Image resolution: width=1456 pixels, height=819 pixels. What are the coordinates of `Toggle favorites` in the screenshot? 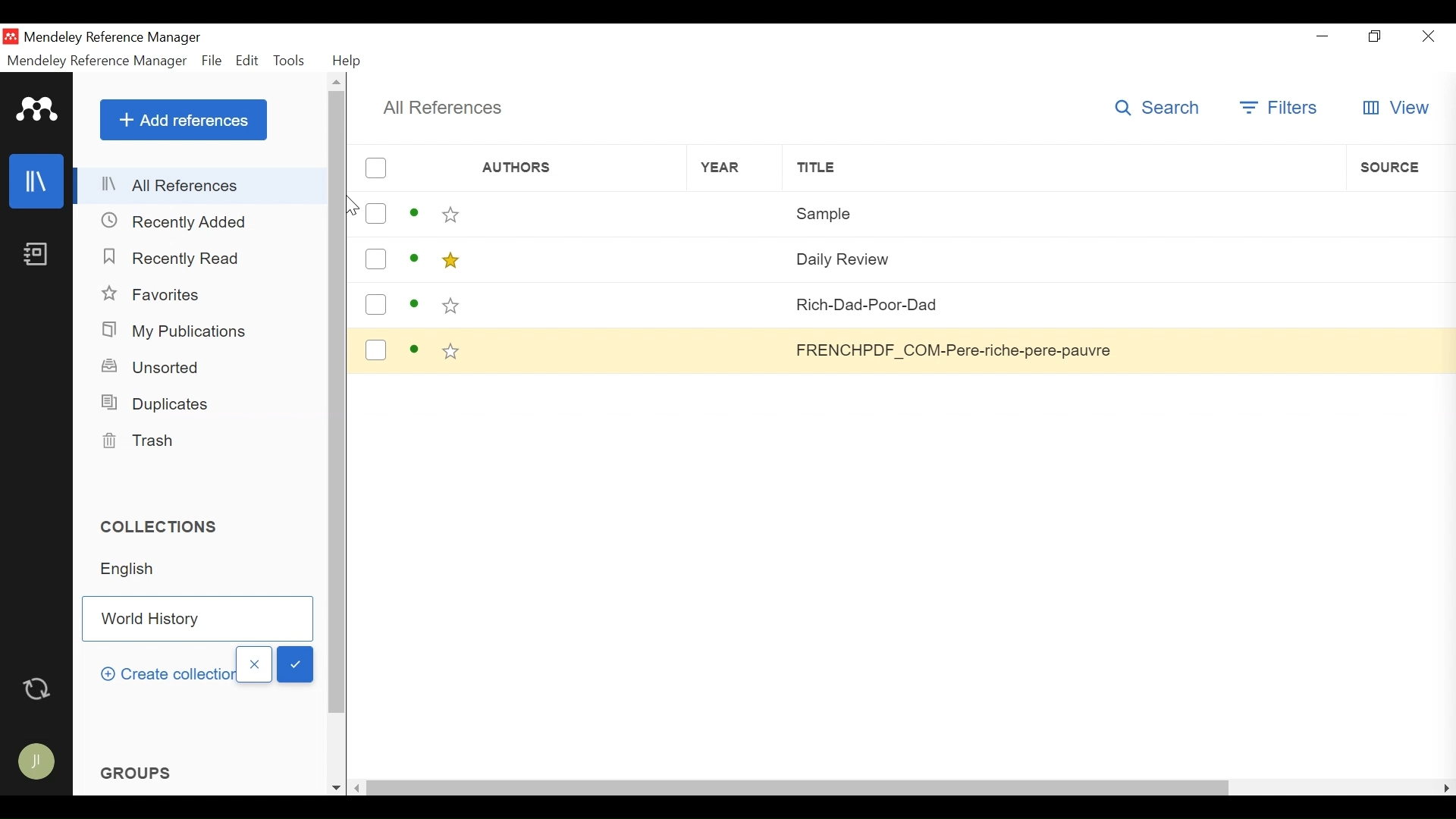 It's located at (452, 353).